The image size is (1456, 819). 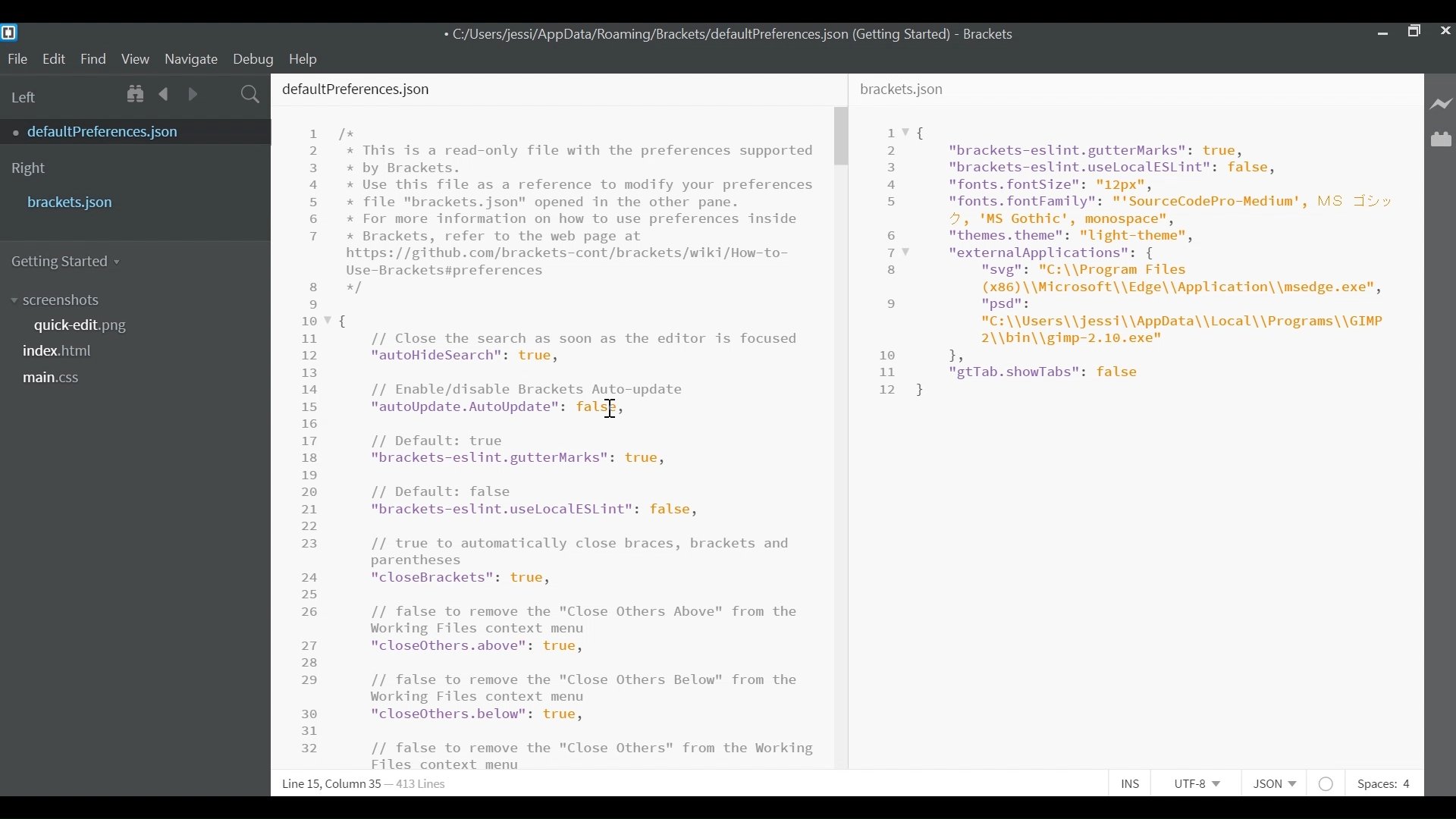 What do you see at coordinates (549, 421) in the screenshot?
I see `defaultPrefereces.json File Editor` at bounding box center [549, 421].